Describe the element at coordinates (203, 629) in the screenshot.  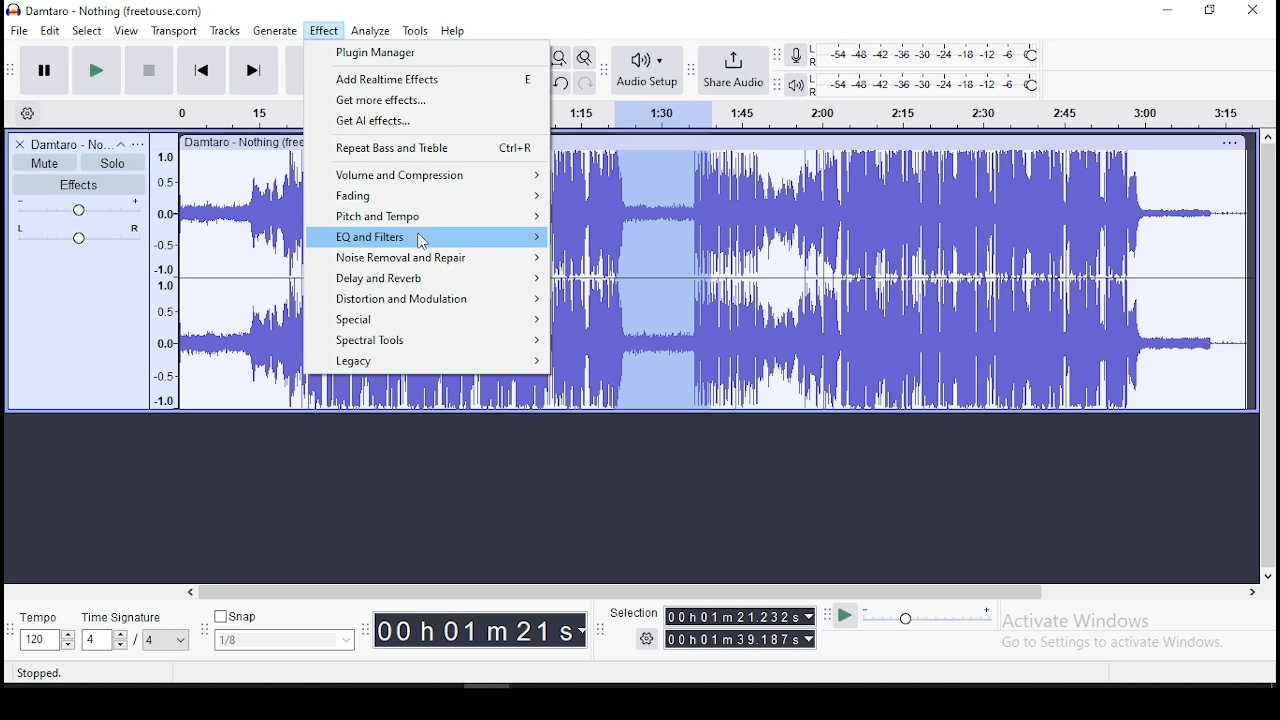
I see `` at that location.